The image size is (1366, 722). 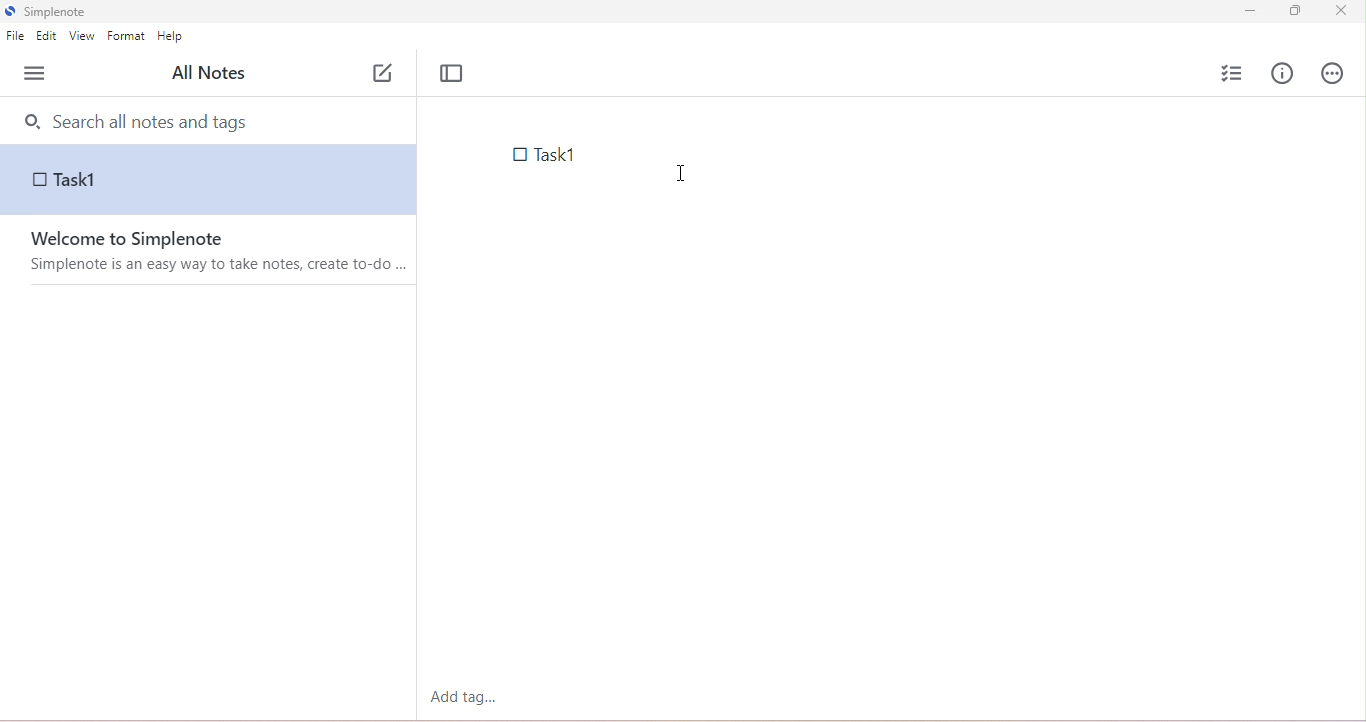 I want to click on note, so click(x=209, y=180).